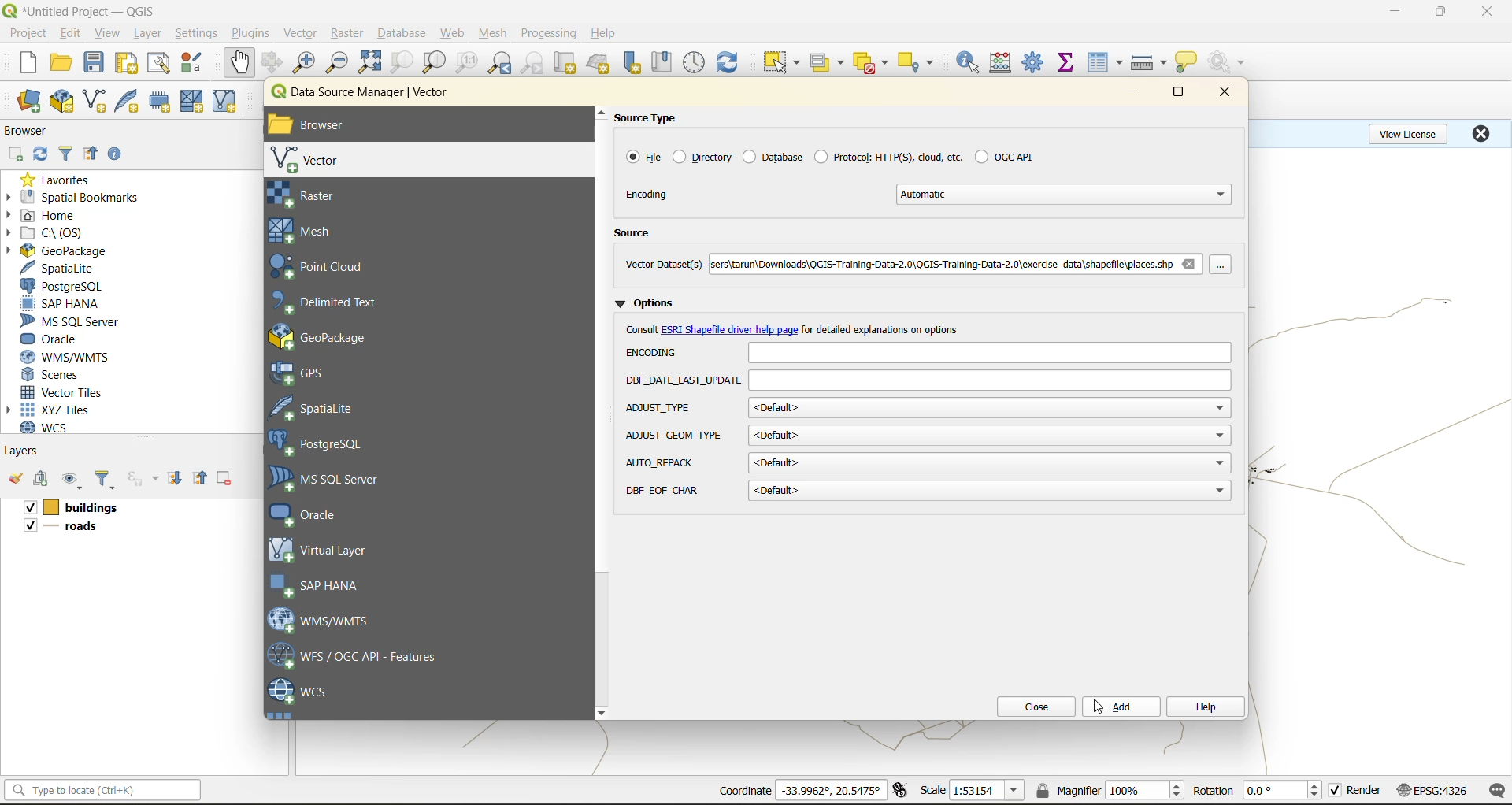 Image resolution: width=1512 pixels, height=805 pixels. What do you see at coordinates (990, 407) in the screenshot?
I see `adjust type` at bounding box center [990, 407].